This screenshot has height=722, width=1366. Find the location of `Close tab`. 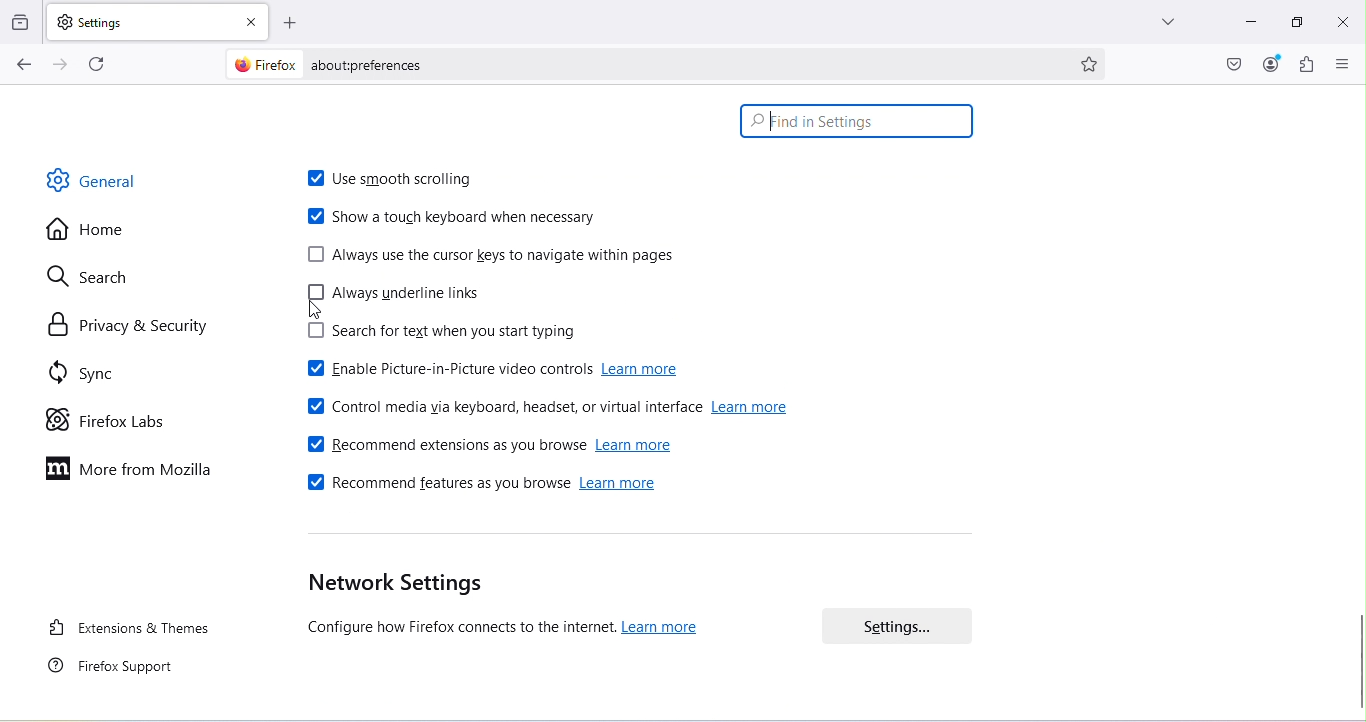

Close tab is located at coordinates (254, 23).